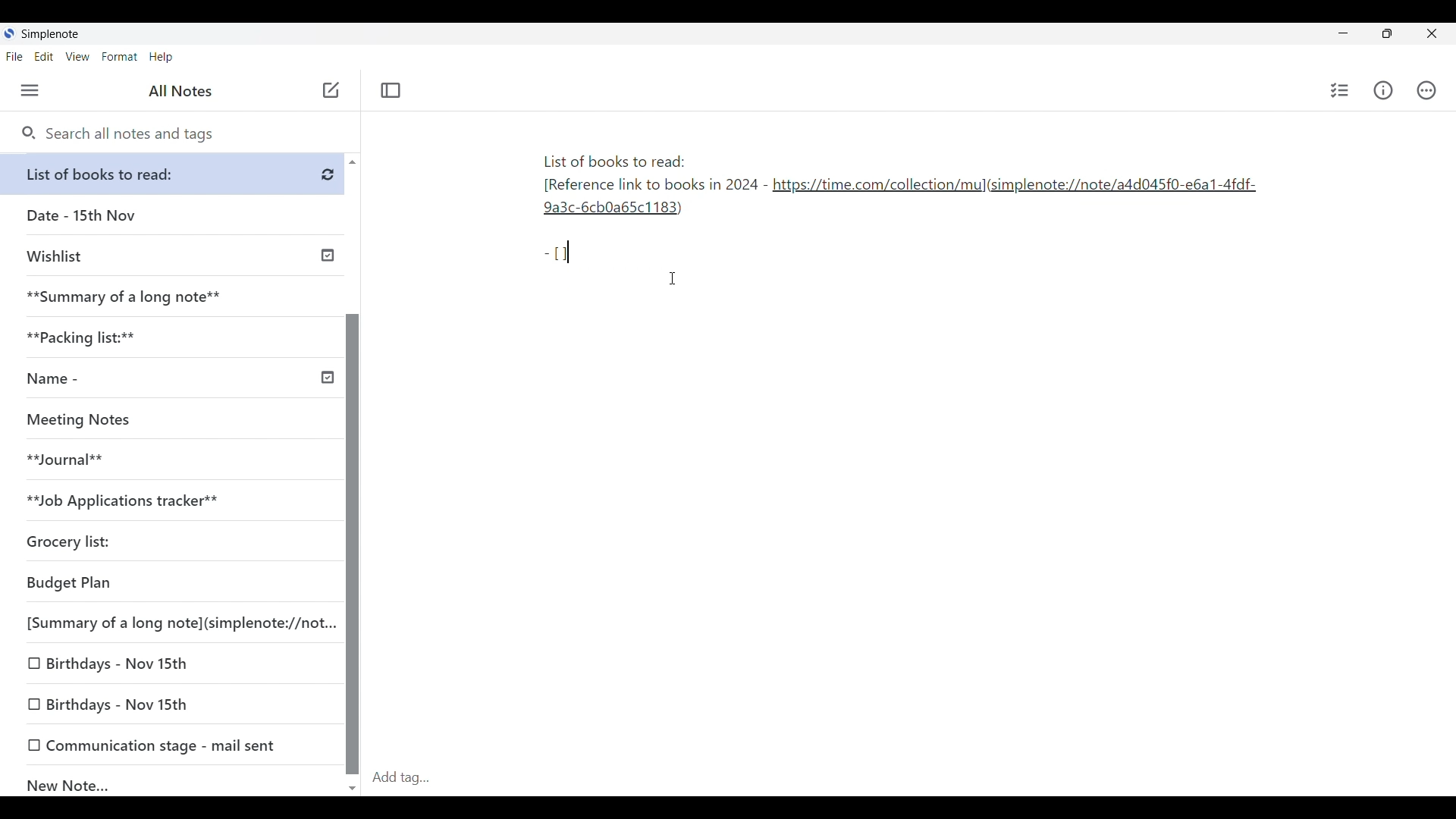 This screenshot has height=819, width=1456. What do you see at coordinates (176, 254) in the screenshot?
I see `Wishlist` at bounding box center [176, 254].